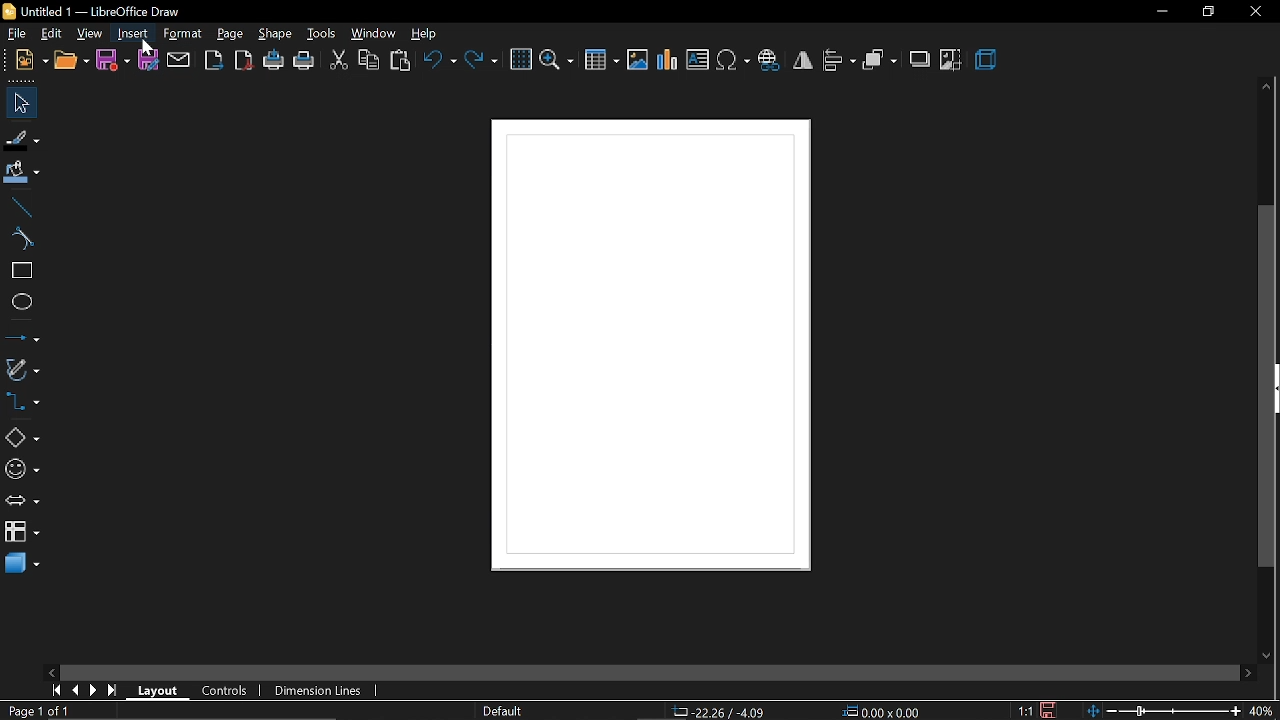  Describe the element at coordinates (427, 35) in the screenshot. I see `help` at that location.